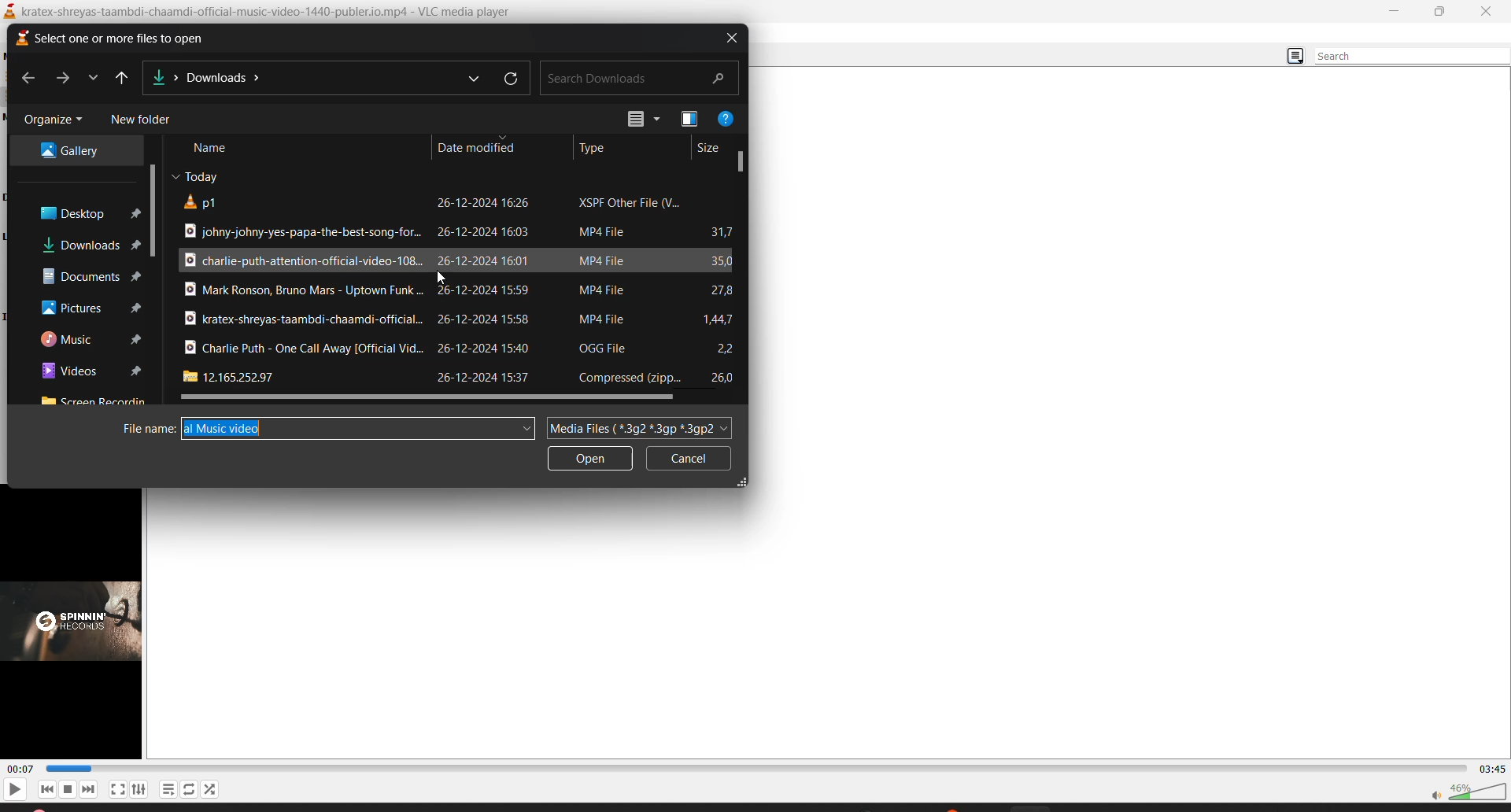  What do you see at coordinates (734, 39) in the screenshot?
I see `close` at bounding box center [734, 39].